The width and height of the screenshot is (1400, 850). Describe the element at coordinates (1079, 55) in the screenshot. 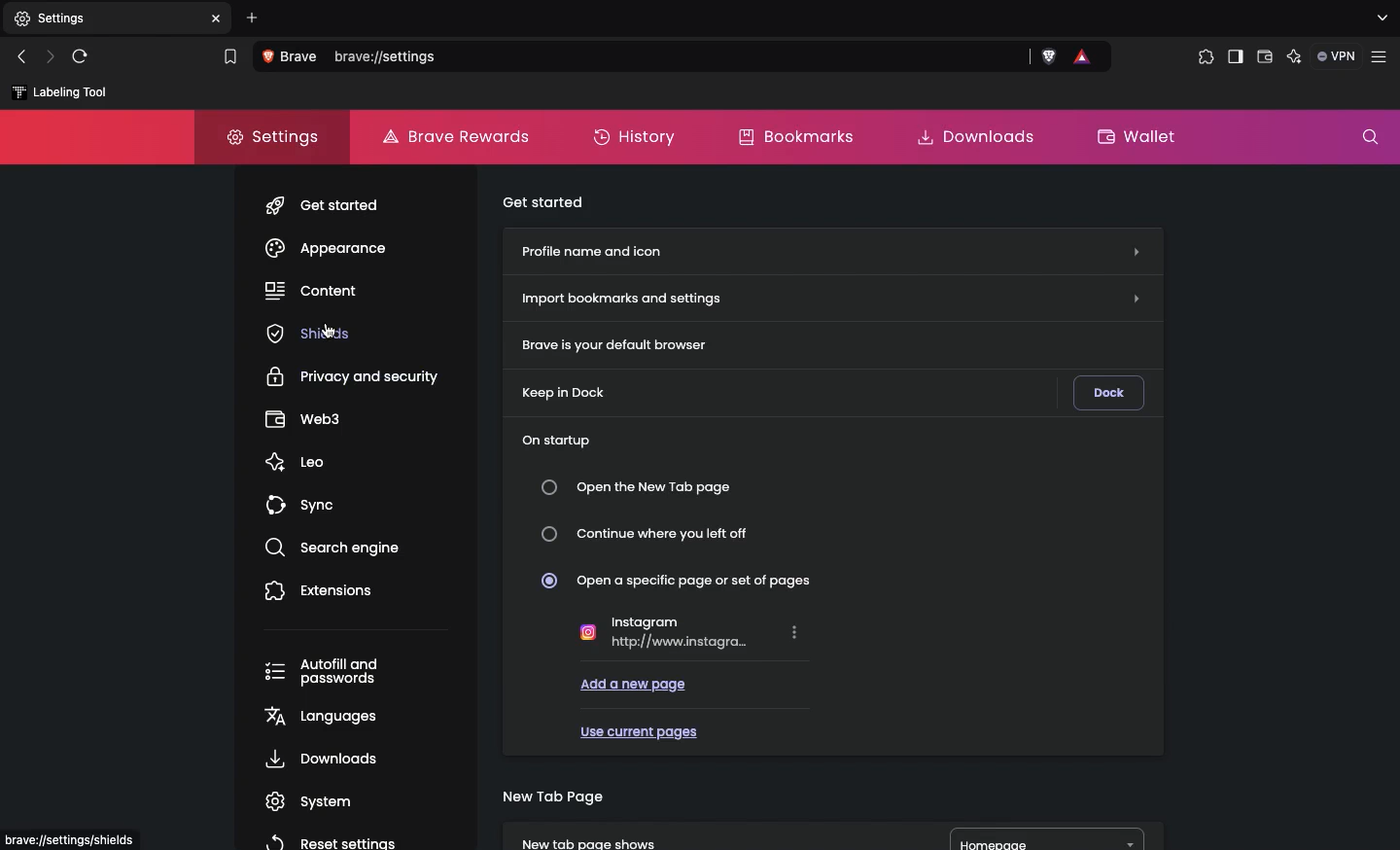

I see `brave rewards` at that location.